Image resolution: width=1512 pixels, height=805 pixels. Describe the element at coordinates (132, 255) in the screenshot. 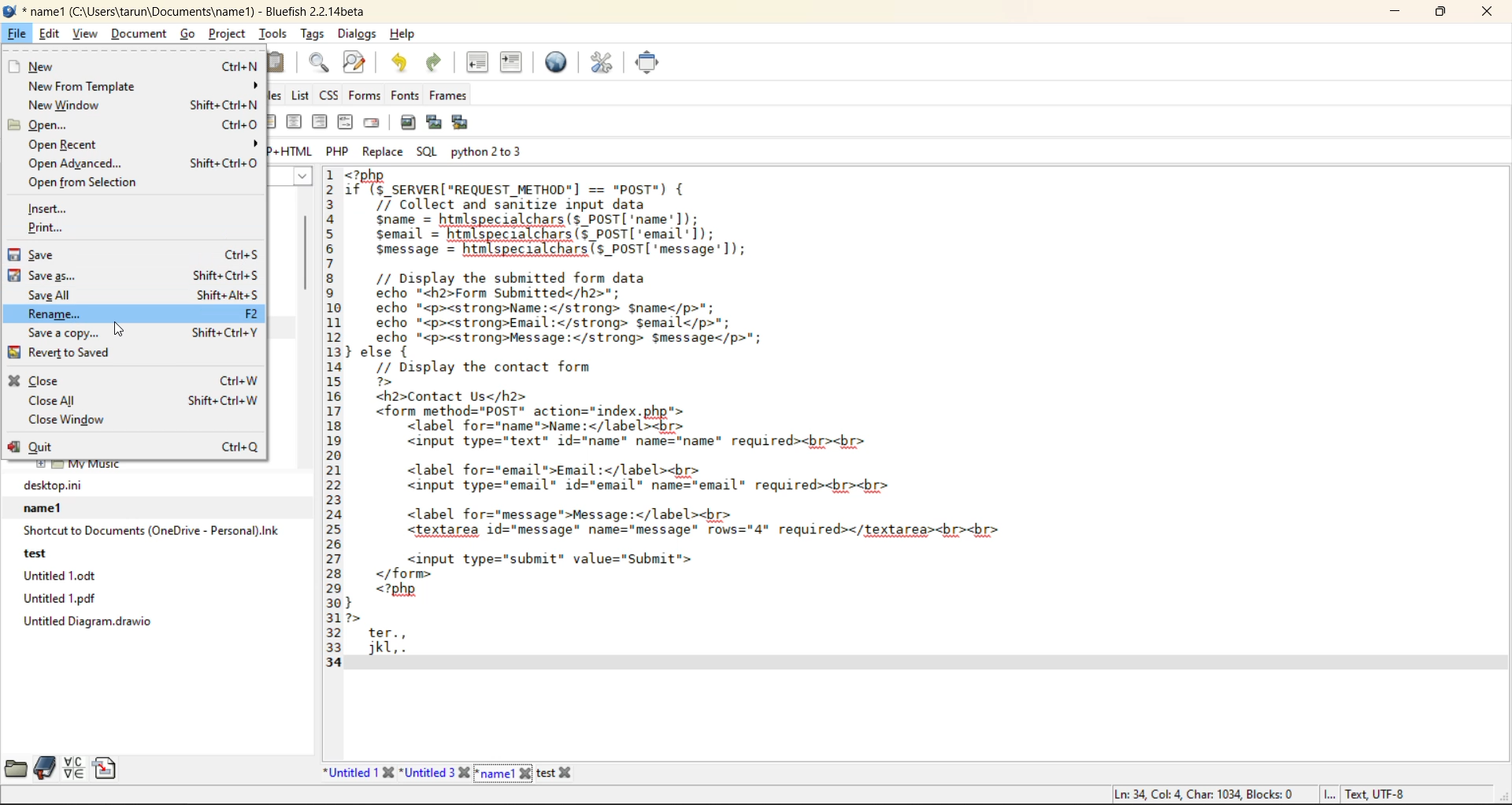

I see `save` at that location.